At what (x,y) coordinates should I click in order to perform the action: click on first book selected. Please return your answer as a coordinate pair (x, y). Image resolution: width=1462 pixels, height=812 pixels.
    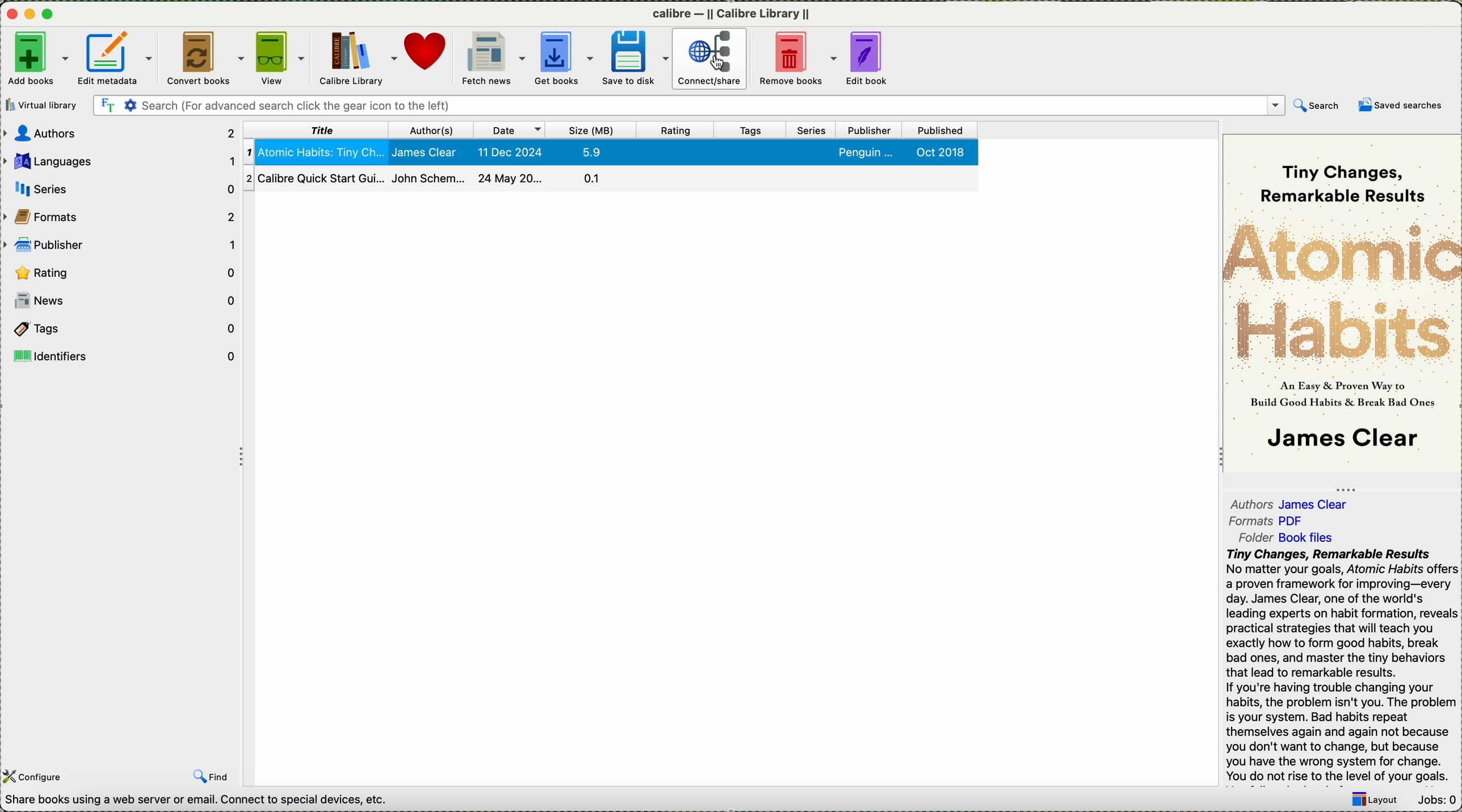
    Looking at the image, I should click on (610, 152).